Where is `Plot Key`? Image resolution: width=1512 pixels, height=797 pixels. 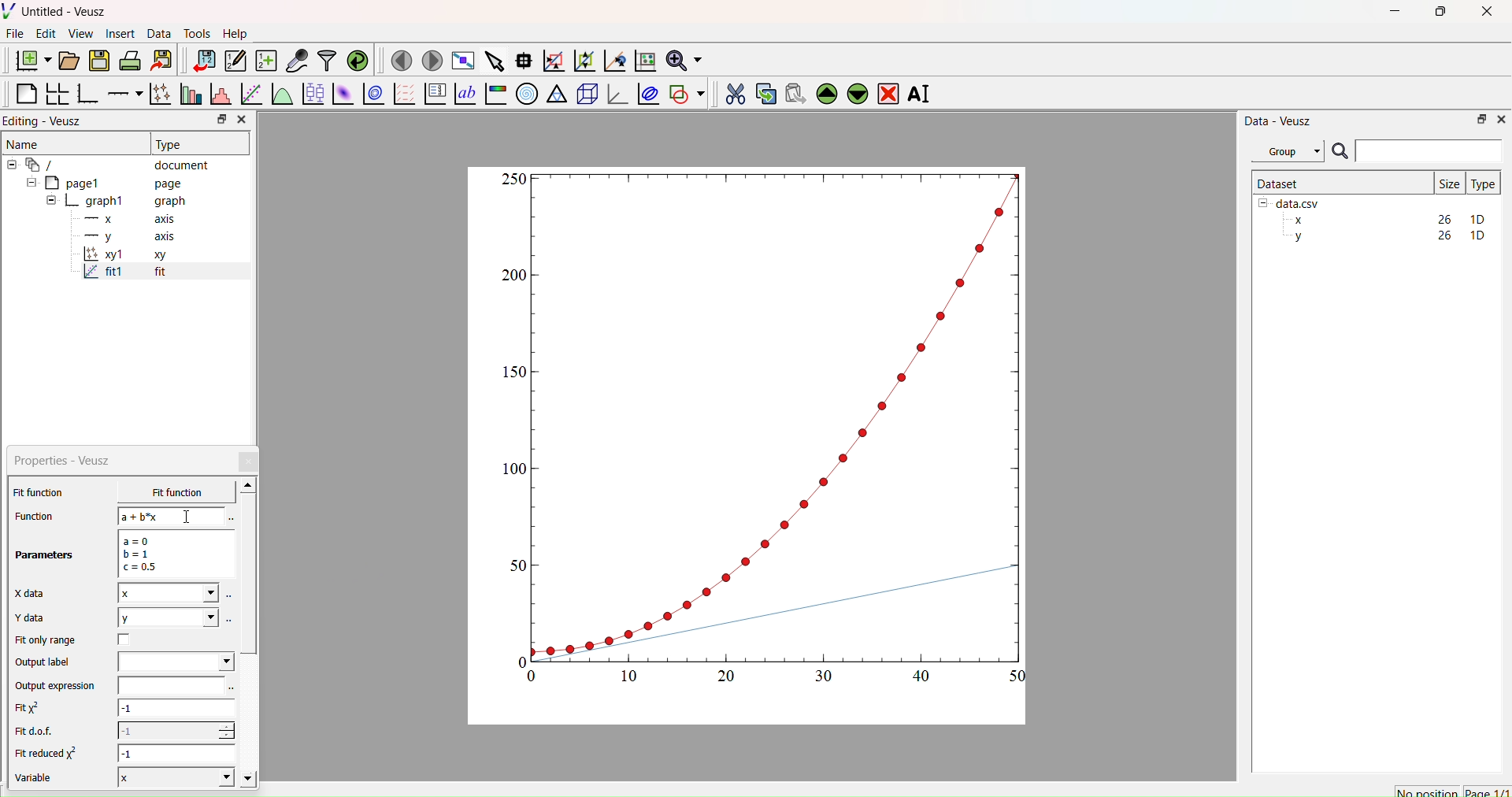 Plot Key is located at coordinates (435, 94).